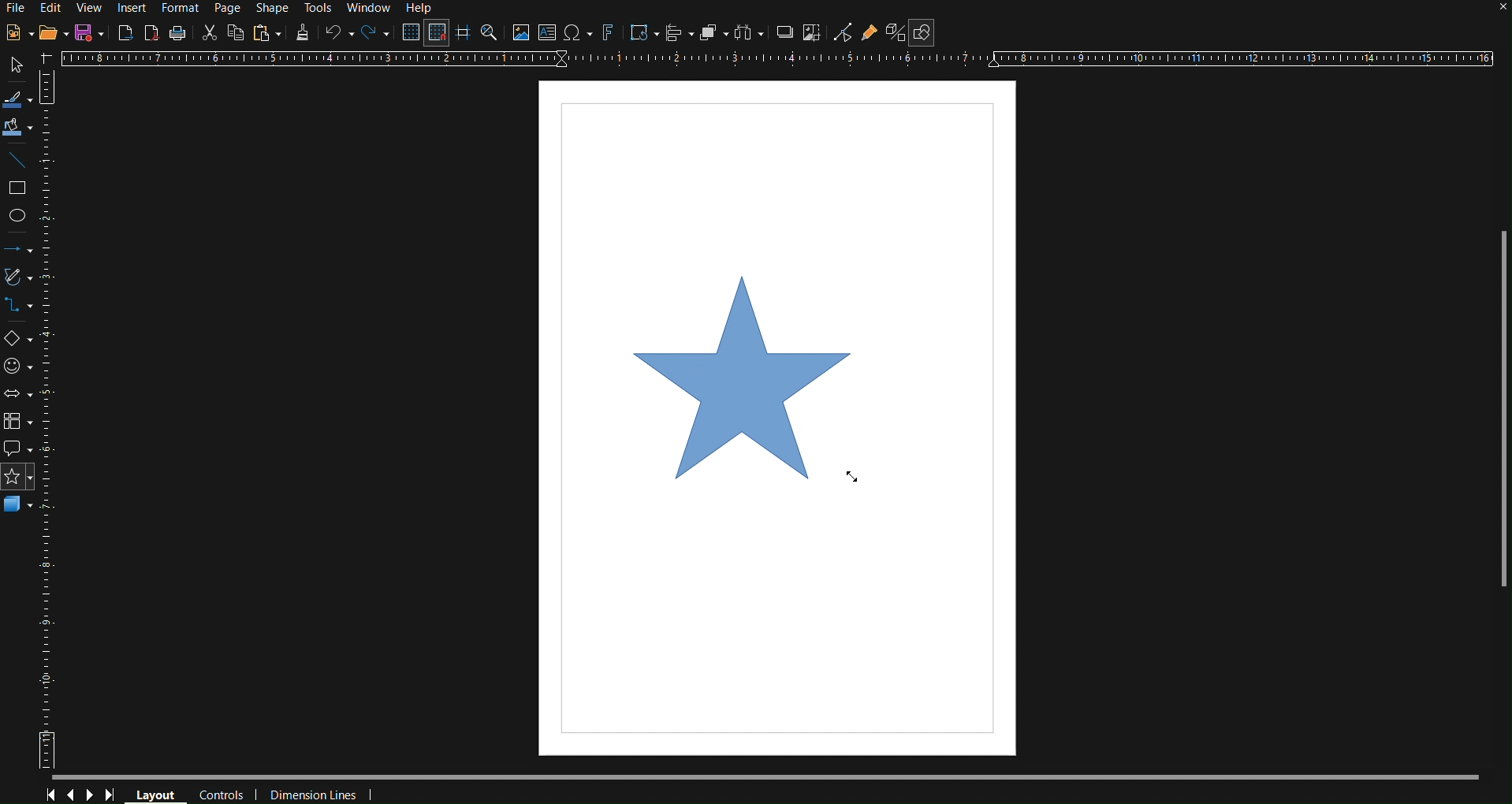 The height and width of the screenshot is (804, 1512). What do you see at coordinates (317, 8) in the screenshot?
I see `Tools` at bounding box center [317, 8].